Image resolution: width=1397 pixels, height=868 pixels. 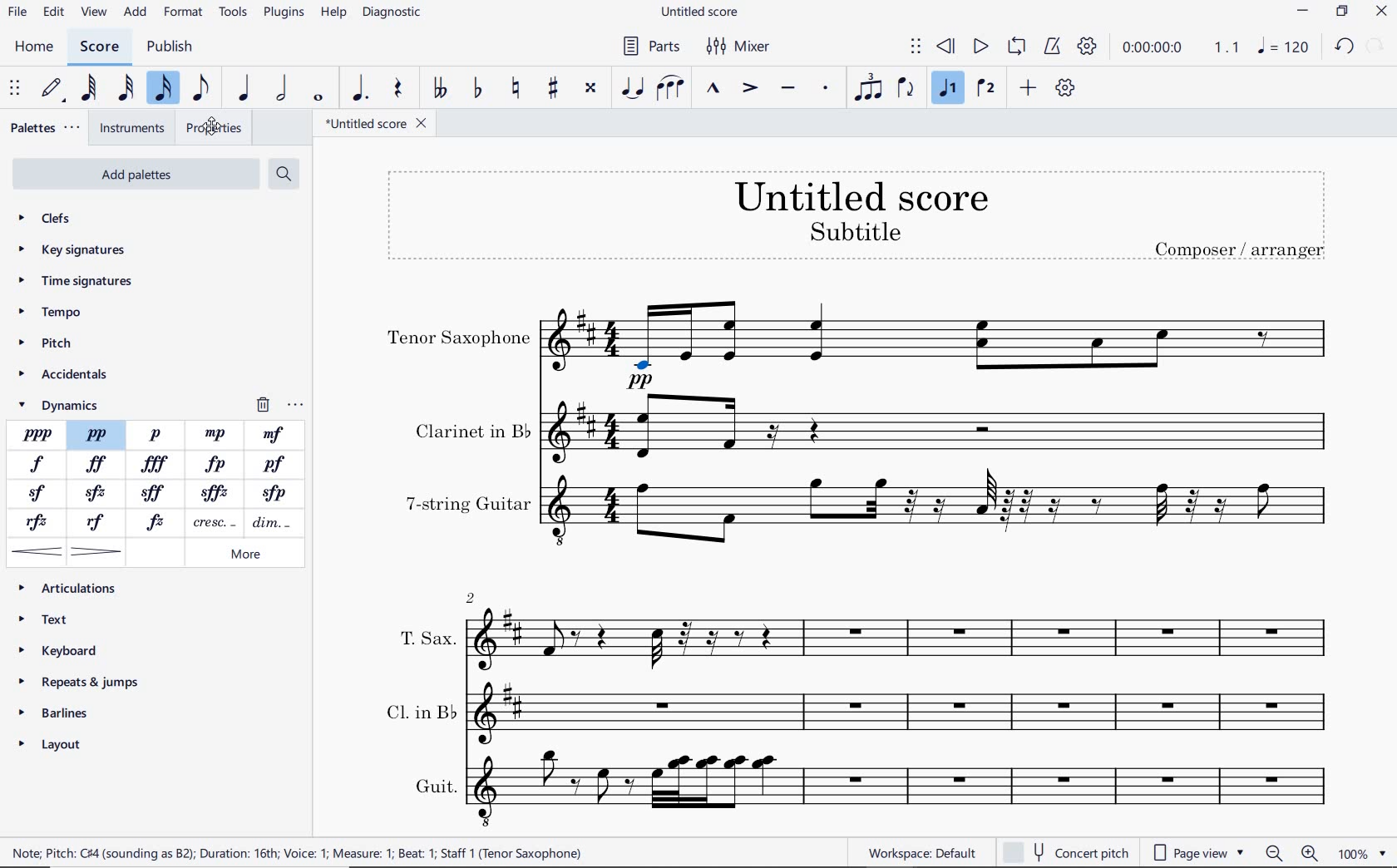 I want to click on RF(RINFORZANDO), so click(x=97, y=522).